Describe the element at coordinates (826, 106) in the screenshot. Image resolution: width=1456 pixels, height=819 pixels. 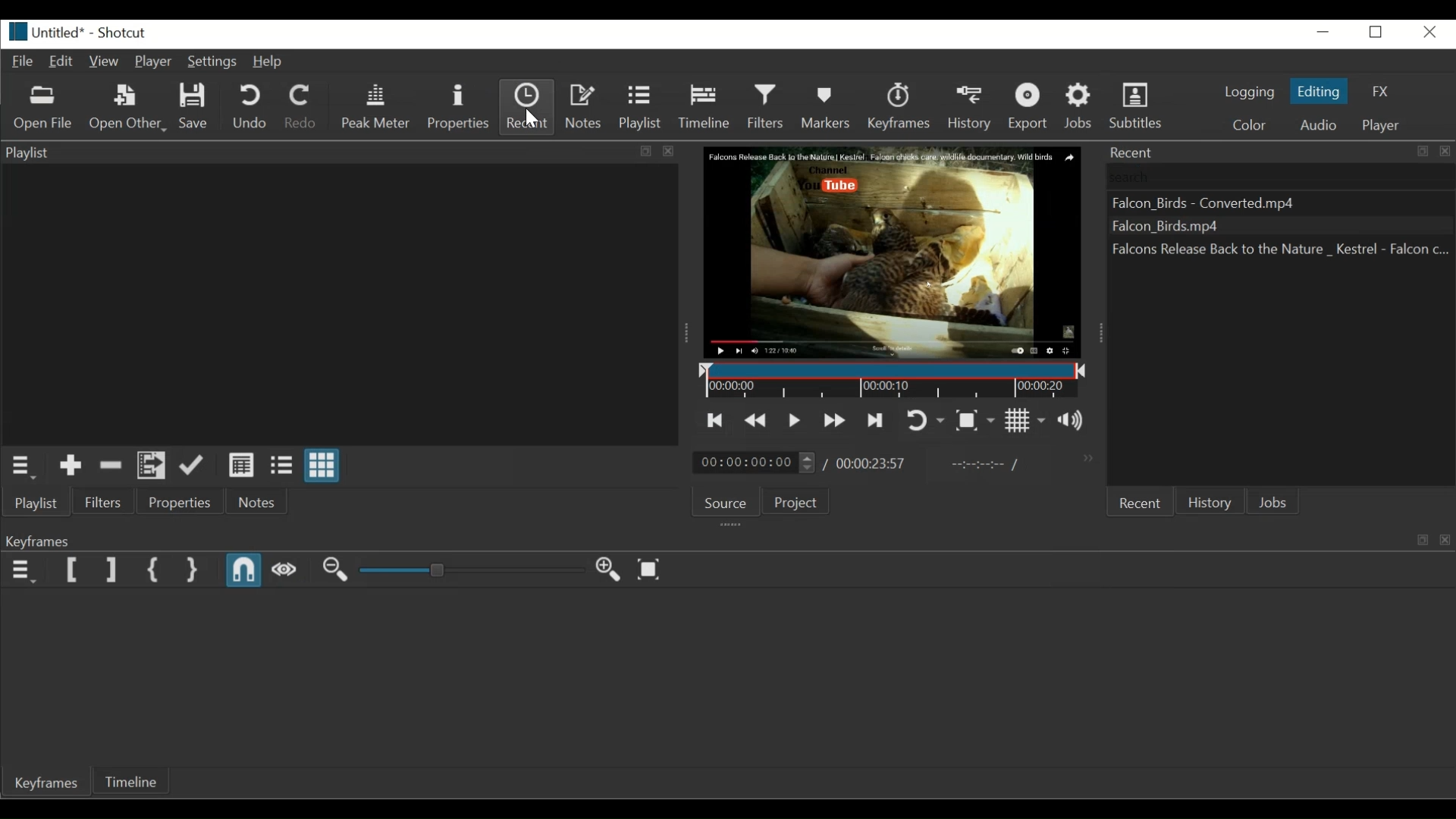
I see `Markers` at that location.